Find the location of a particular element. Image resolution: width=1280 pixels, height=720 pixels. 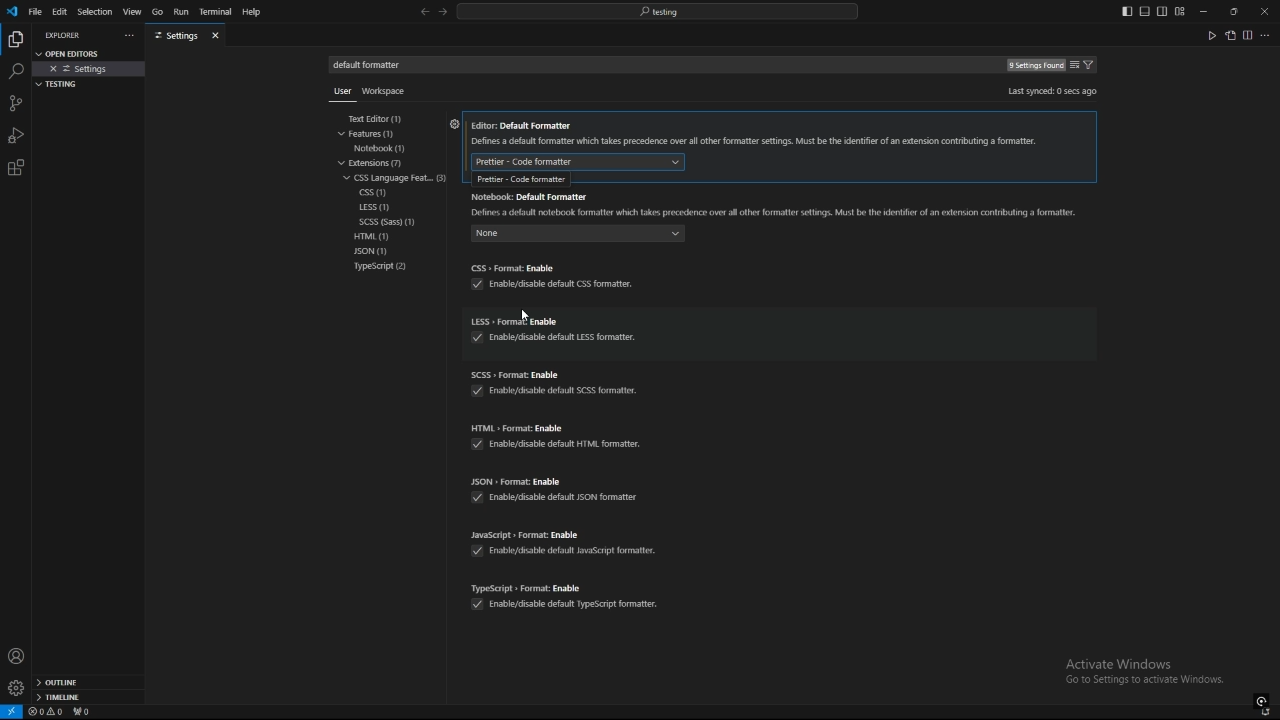

run is located at coordinates (180, 12).